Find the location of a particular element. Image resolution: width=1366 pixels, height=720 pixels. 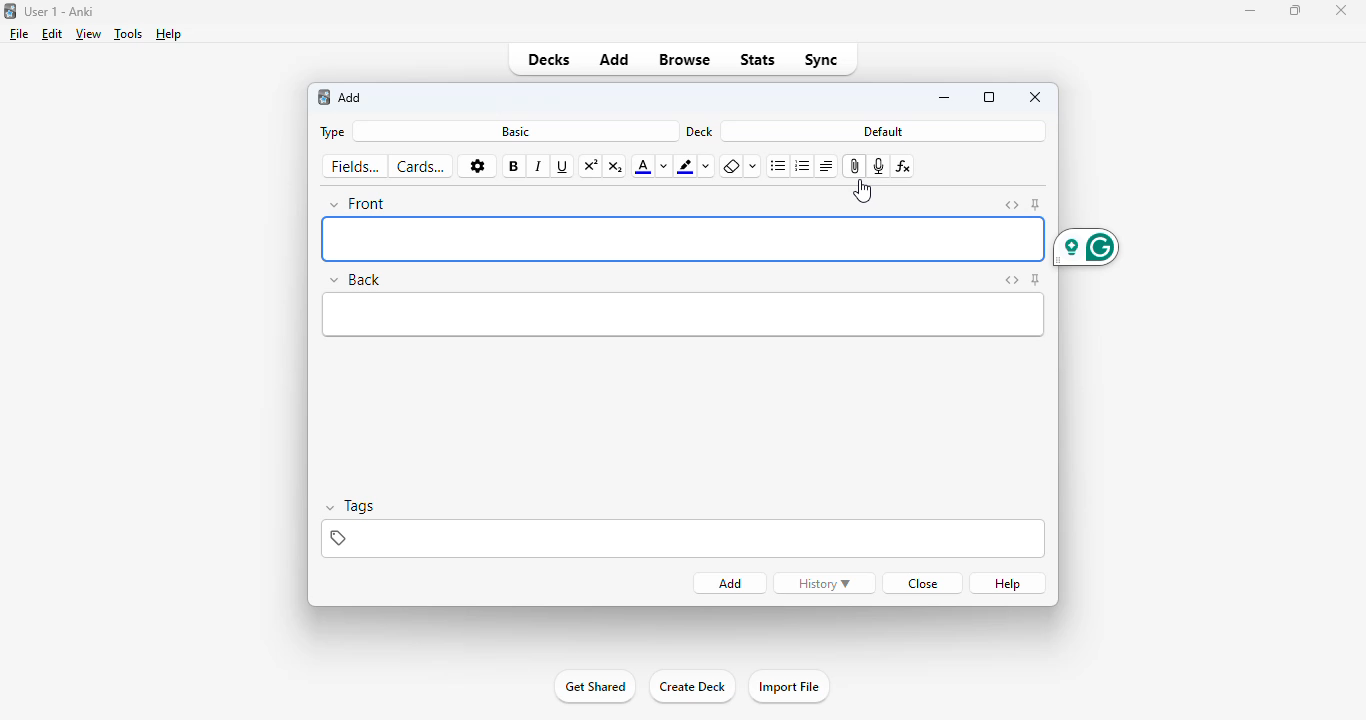

subscript is located at coordinates (616, 166).